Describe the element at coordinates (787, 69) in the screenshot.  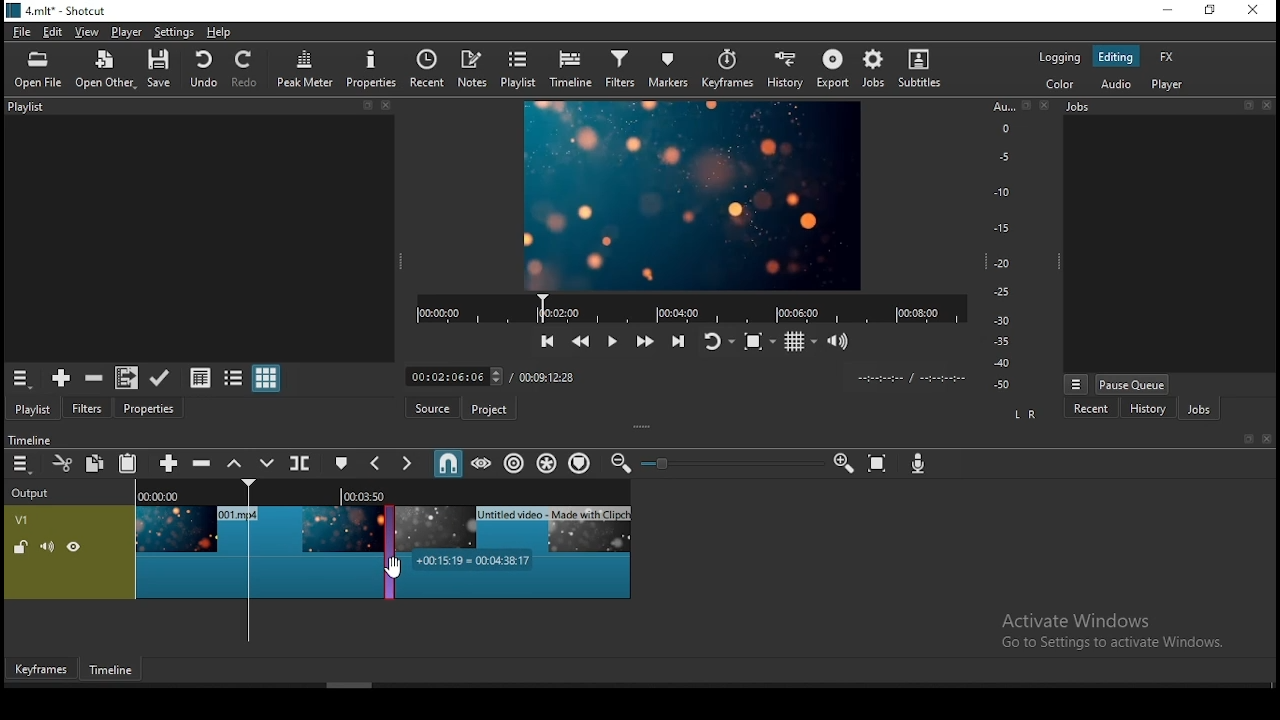
I see `history` at that location.